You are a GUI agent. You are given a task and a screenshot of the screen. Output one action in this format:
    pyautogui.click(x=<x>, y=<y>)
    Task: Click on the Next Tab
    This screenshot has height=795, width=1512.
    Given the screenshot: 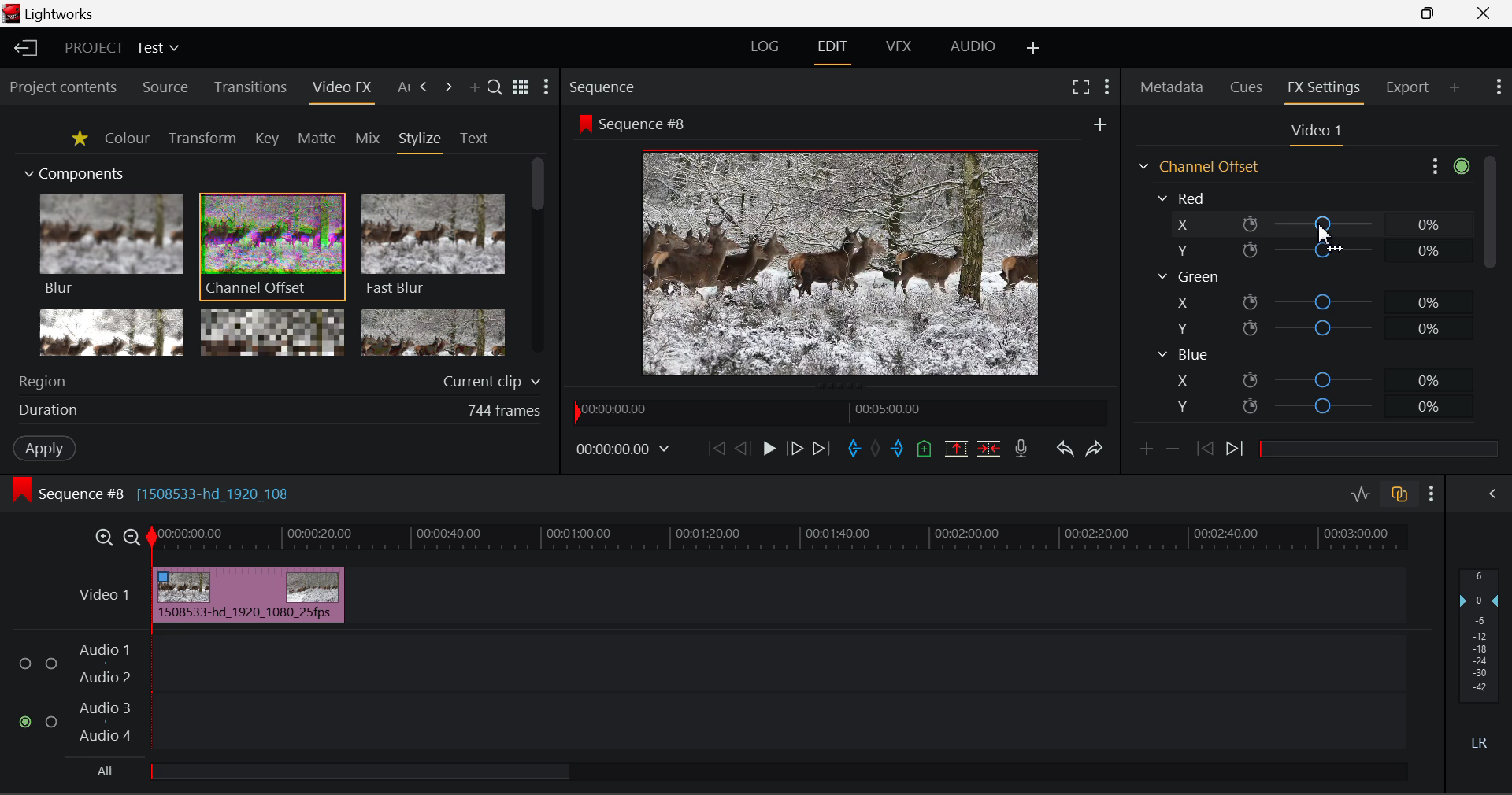 What is the action you would take?
    pyautogui.click(x=448, y=87)
    